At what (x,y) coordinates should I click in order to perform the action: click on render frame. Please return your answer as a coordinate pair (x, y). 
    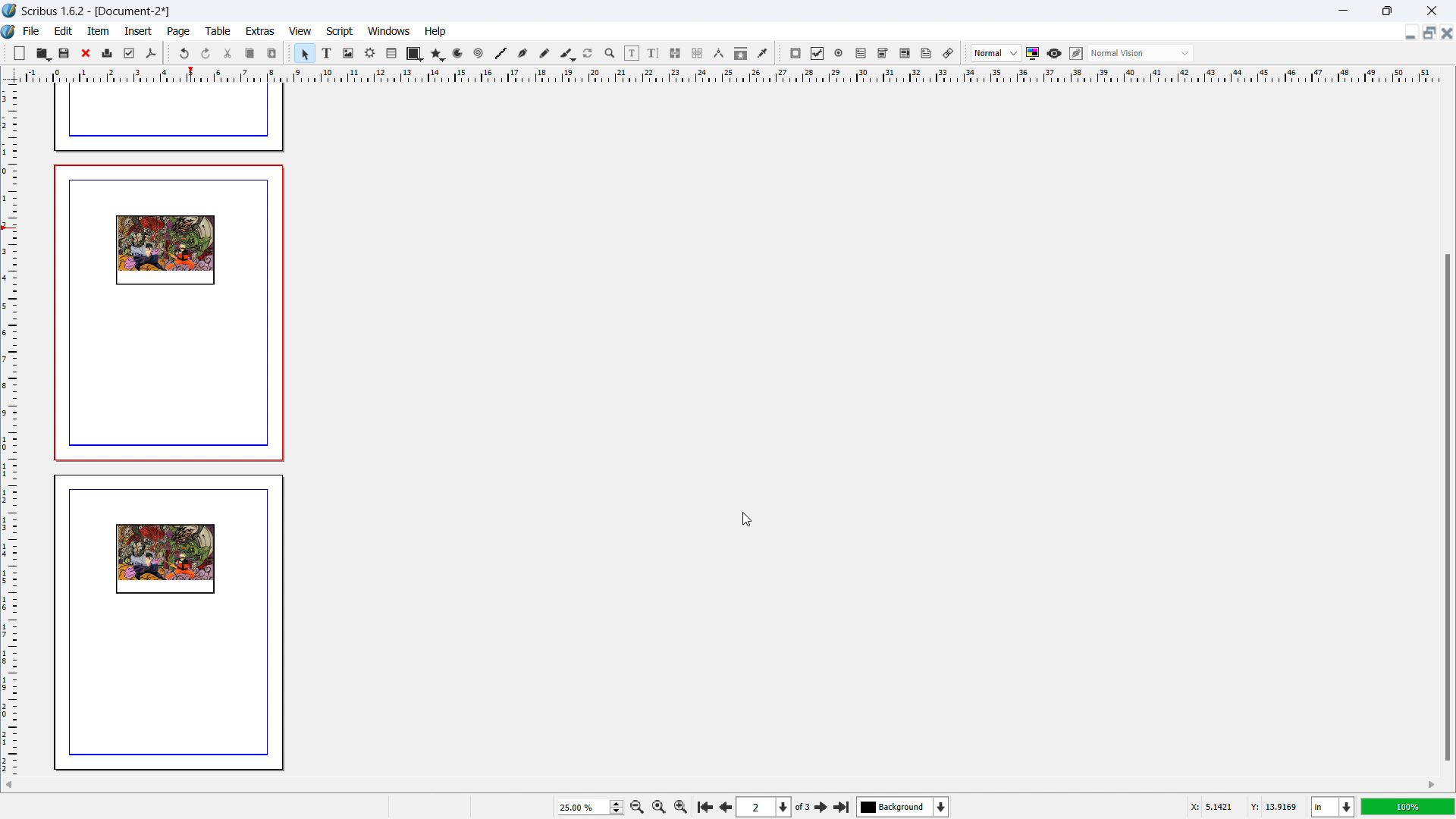
    Looking at the image, I should click on (370, 53).